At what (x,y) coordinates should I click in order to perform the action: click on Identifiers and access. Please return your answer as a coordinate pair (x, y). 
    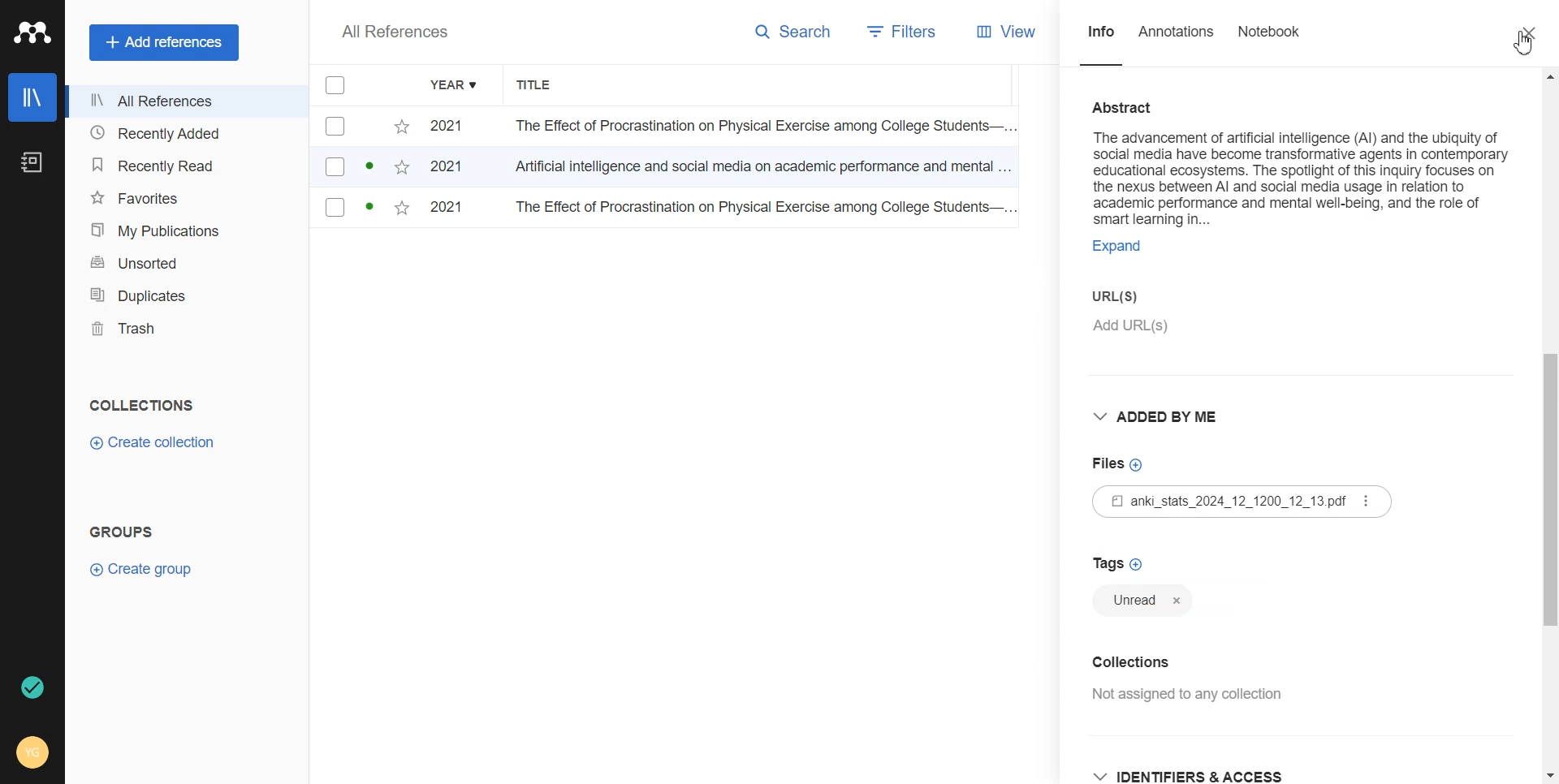
    Looking at the image, I should click on (1196, 775).